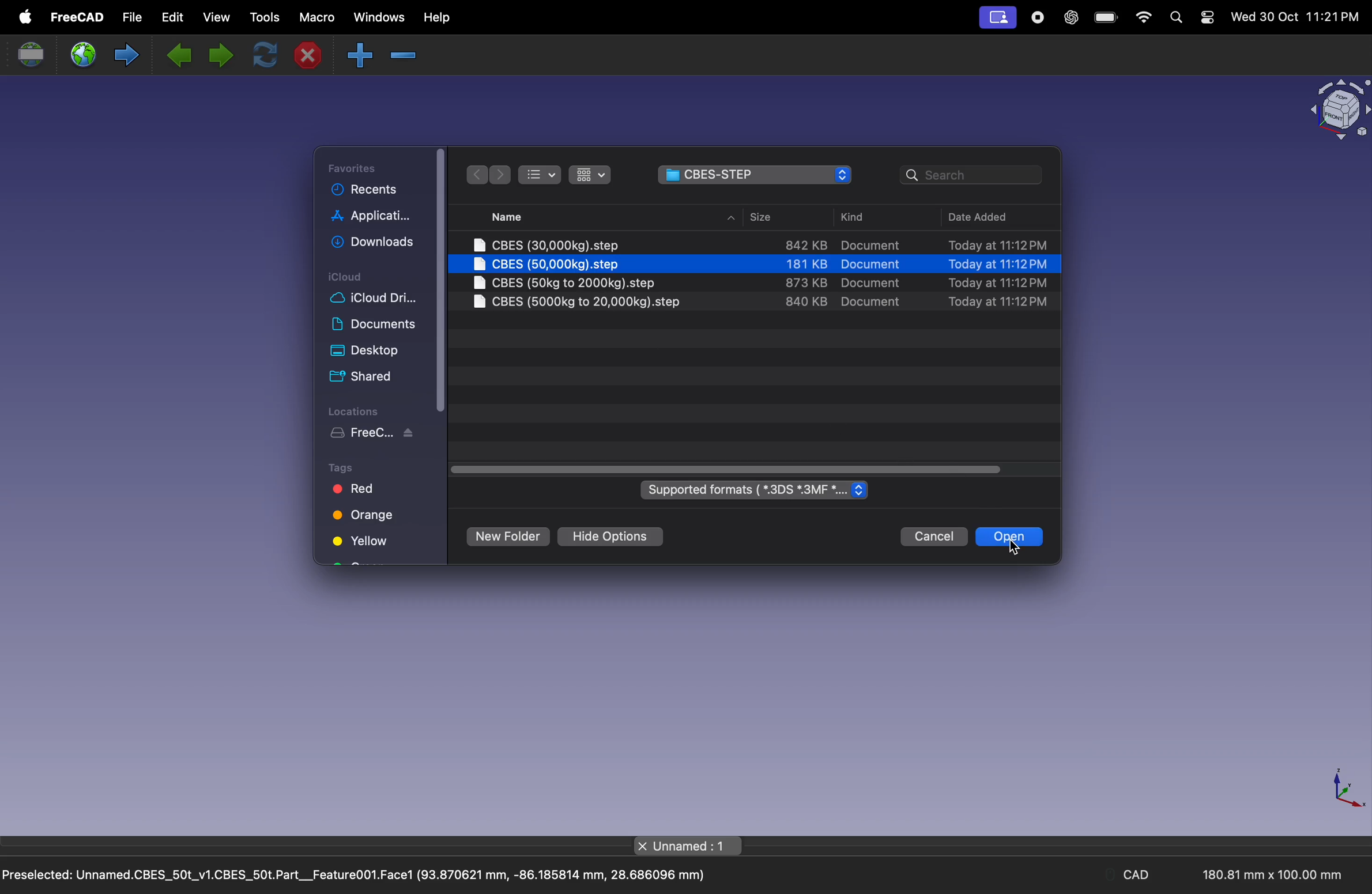 The image size is (1372, 894). What do you see at coordinates (993, 218) in the screenshot?
I see `date` at bounding box center [993, 218].